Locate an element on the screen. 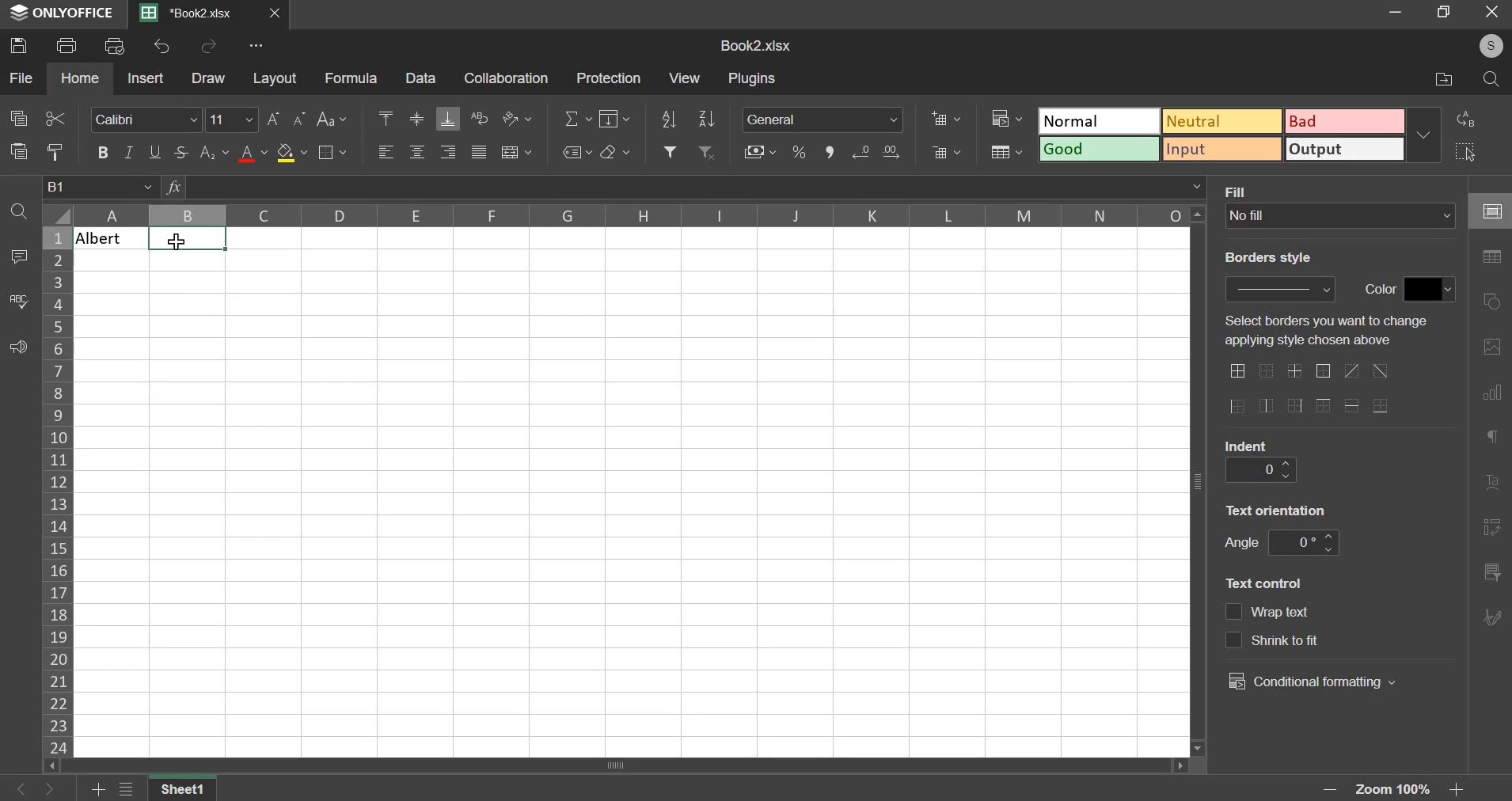  slicer settings is located at coordinates (1493, 570).